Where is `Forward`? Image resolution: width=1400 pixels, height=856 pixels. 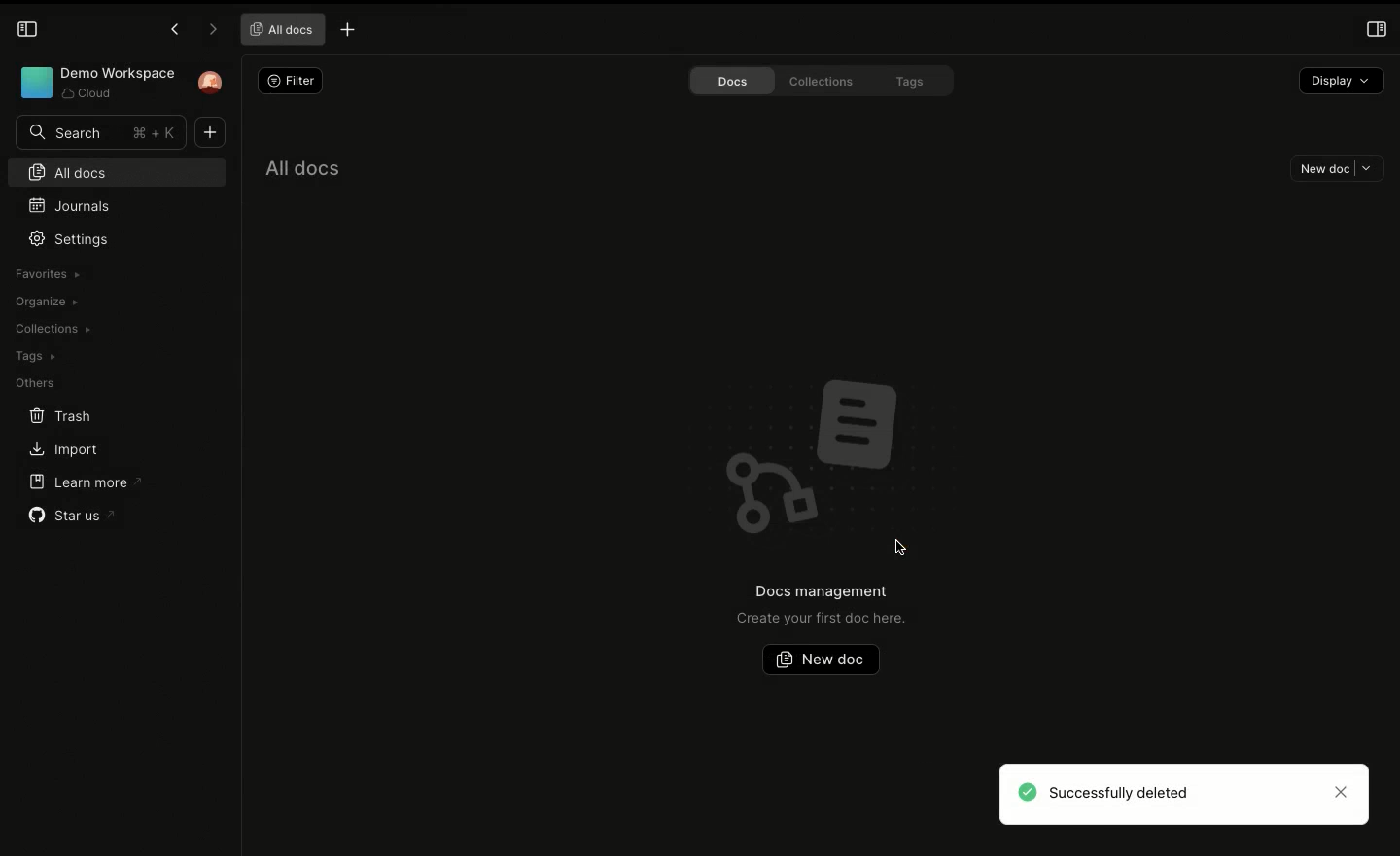
Forward is located at coordinates (209, 30).